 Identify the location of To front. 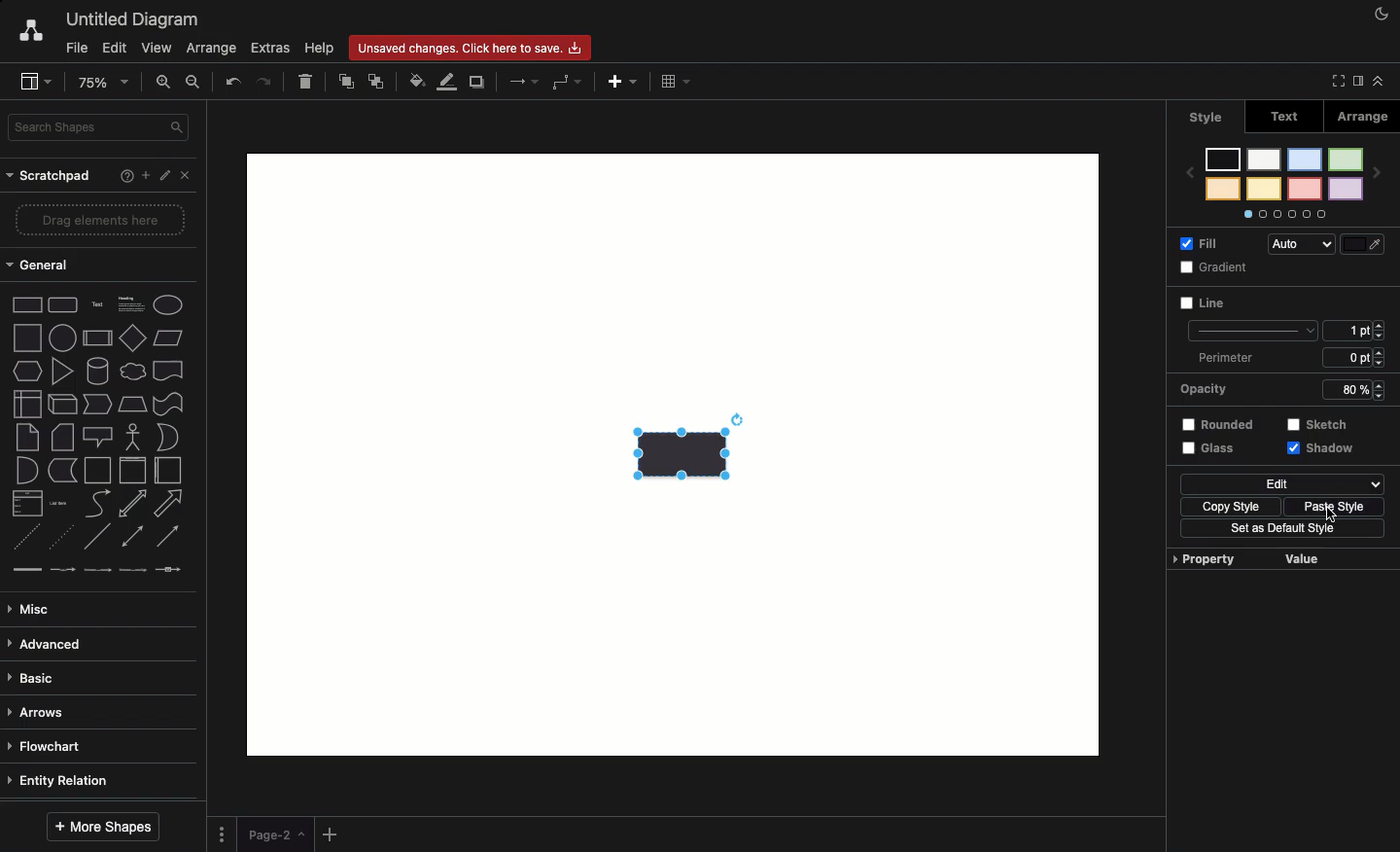
(346, 81).